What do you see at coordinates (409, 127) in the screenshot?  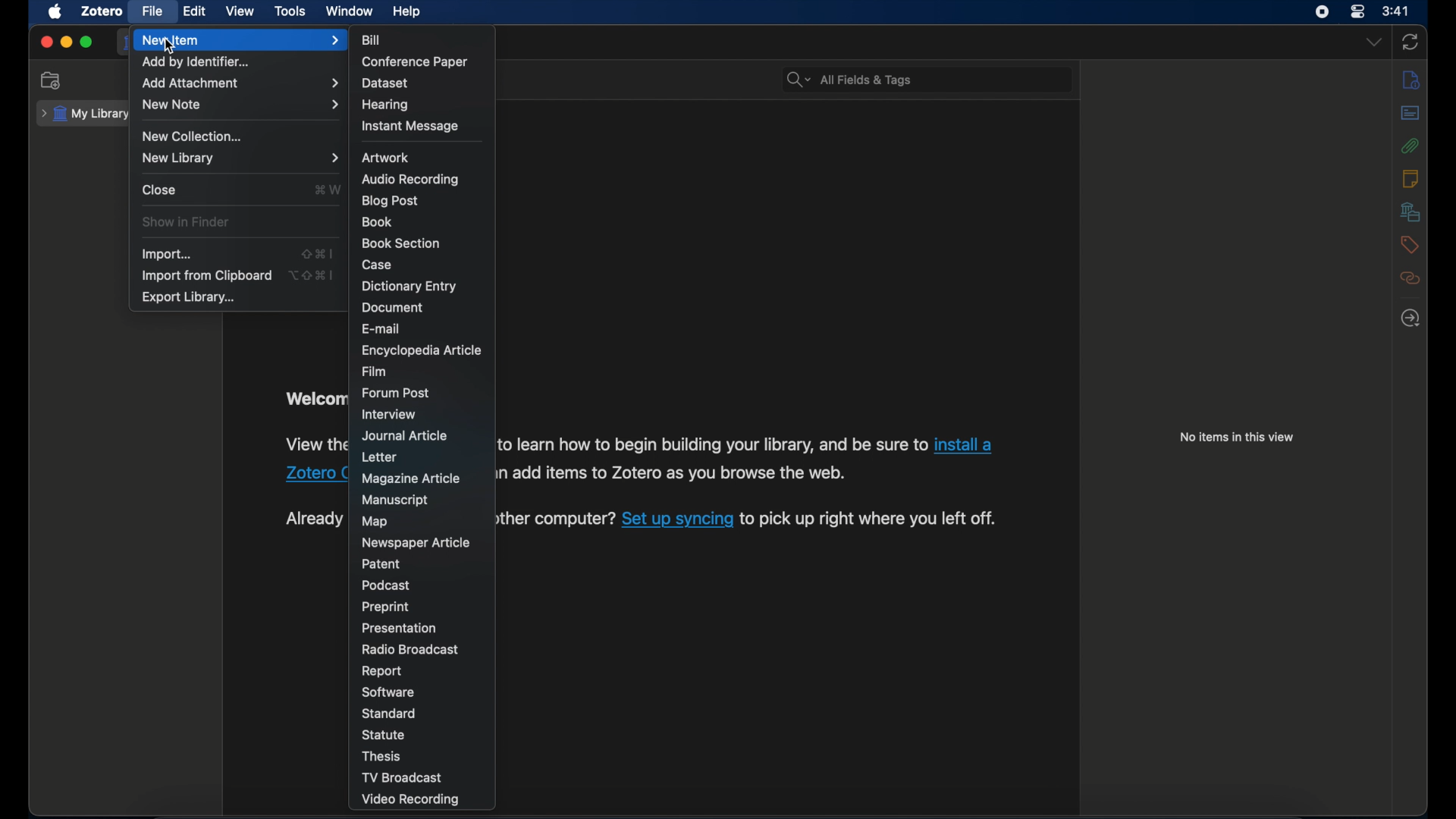 I see `instant message` at bounding box center [409, 127].